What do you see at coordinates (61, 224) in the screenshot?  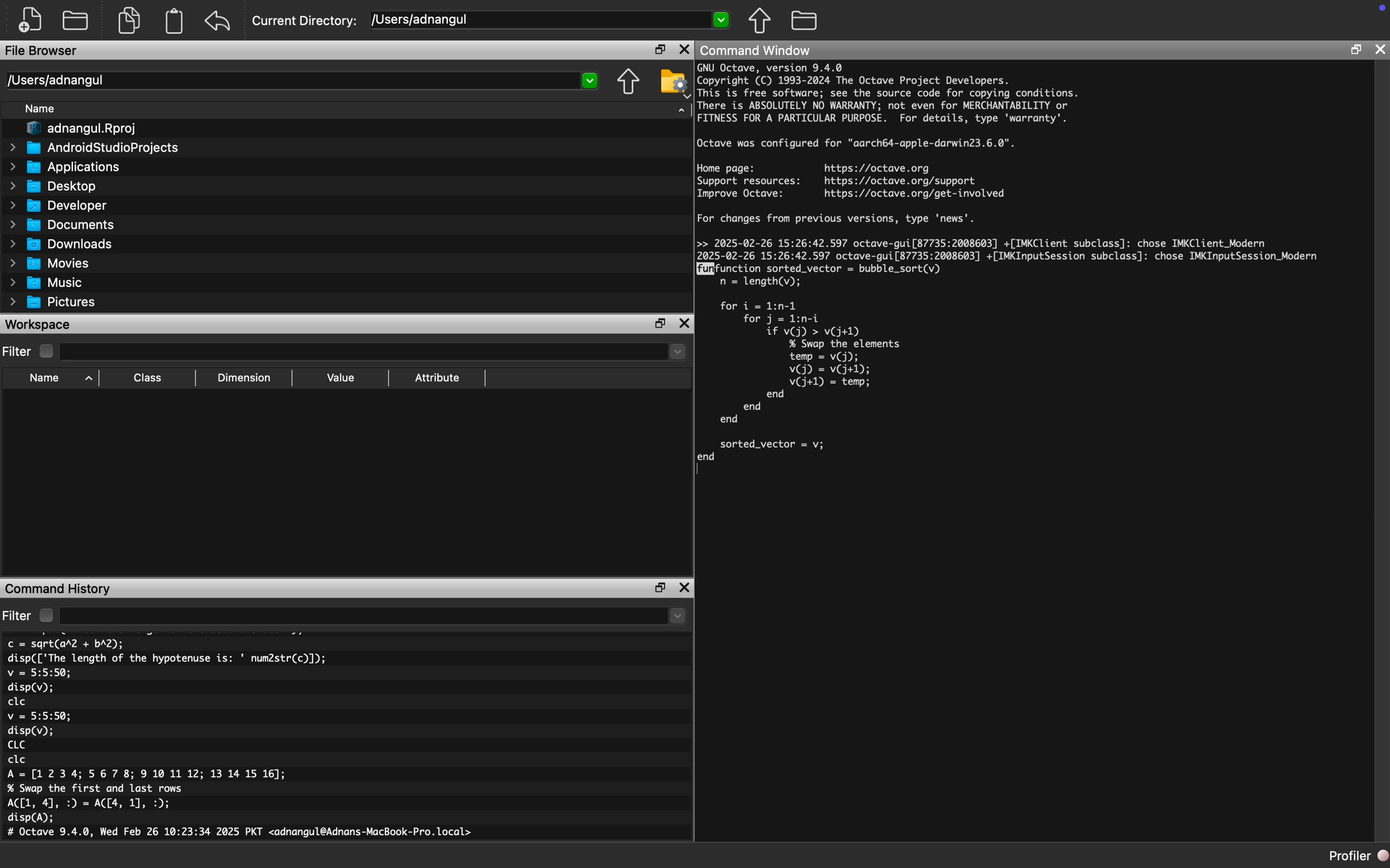 I see `Documents` at bounding box center [61, 224].